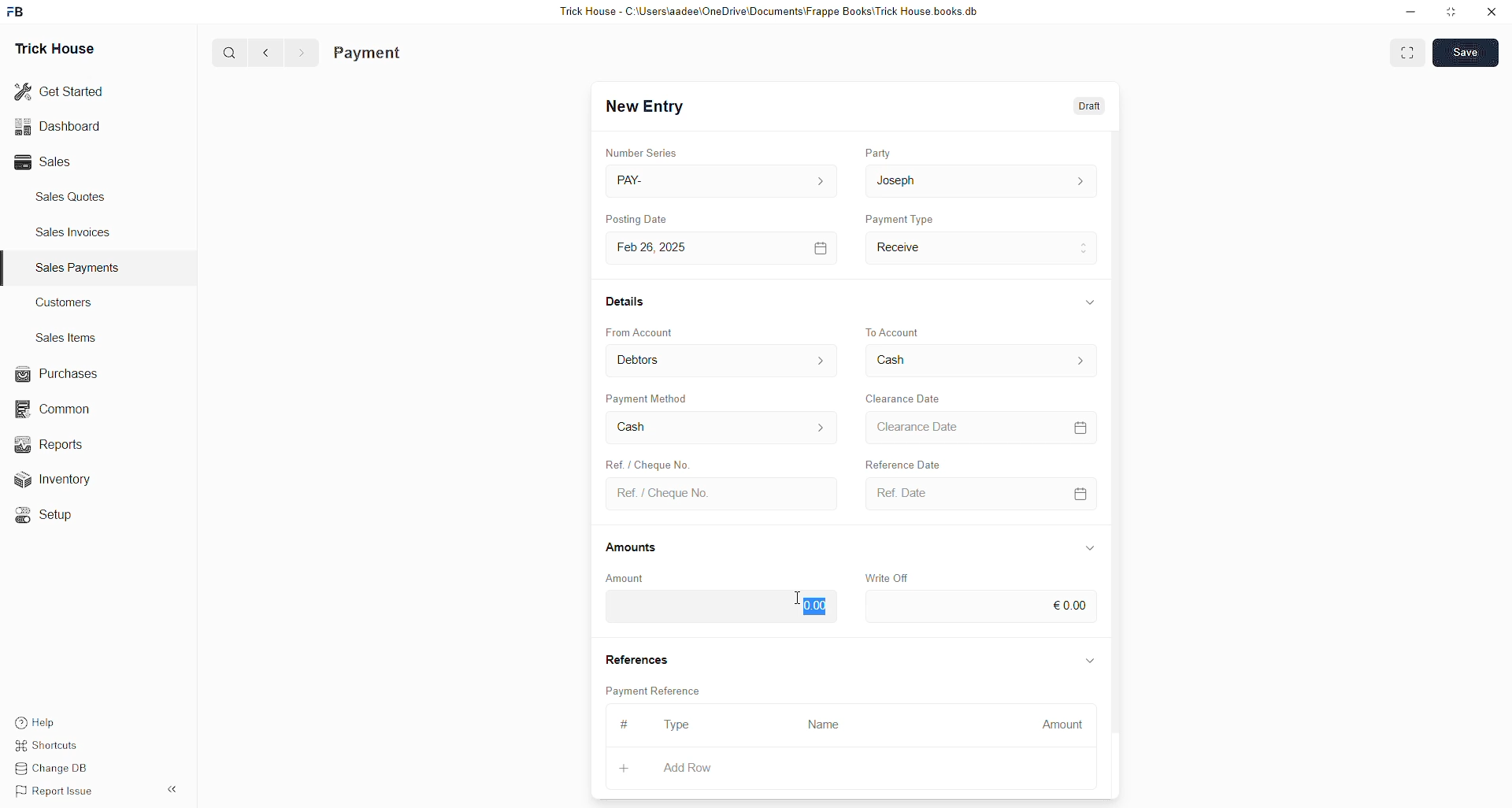  I want to click on Name, so click(828, 726).